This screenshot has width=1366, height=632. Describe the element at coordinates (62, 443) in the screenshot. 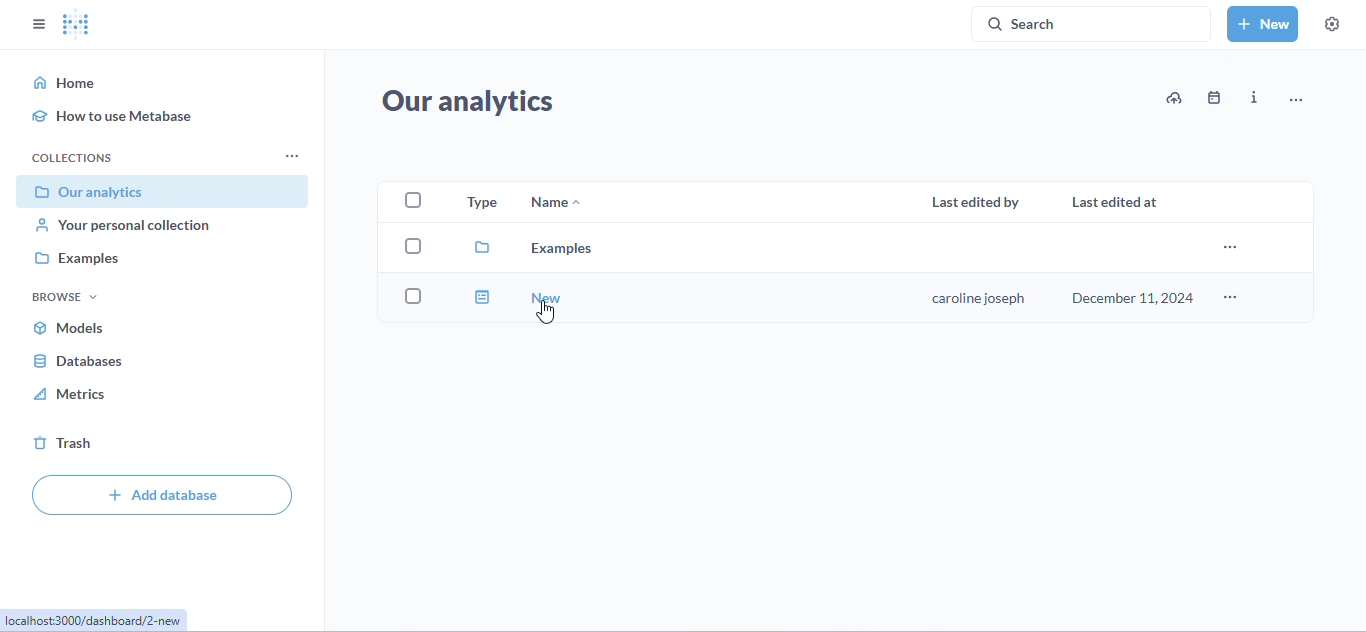

I see `trash` at that location.